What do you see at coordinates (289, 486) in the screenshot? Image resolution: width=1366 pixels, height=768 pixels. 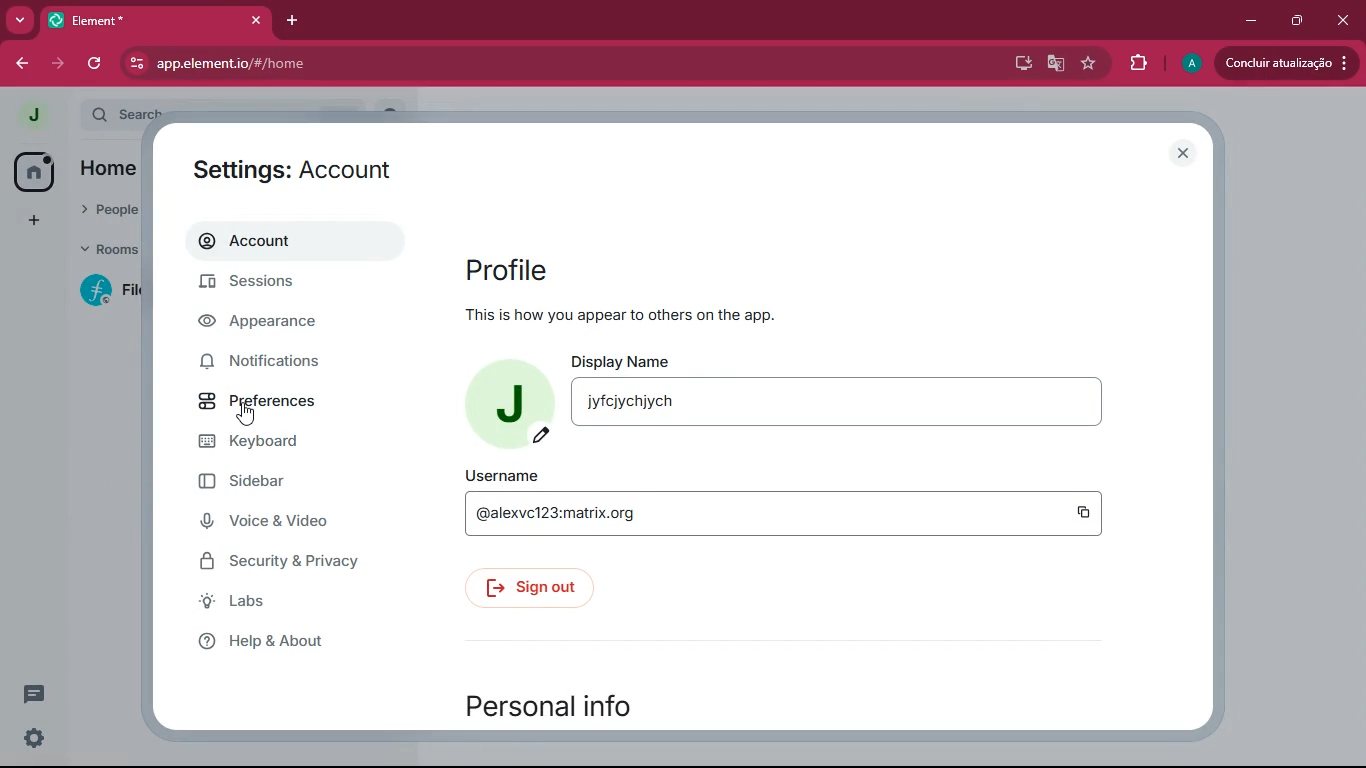 I see `sidebar` at bounding box center [289, 486].